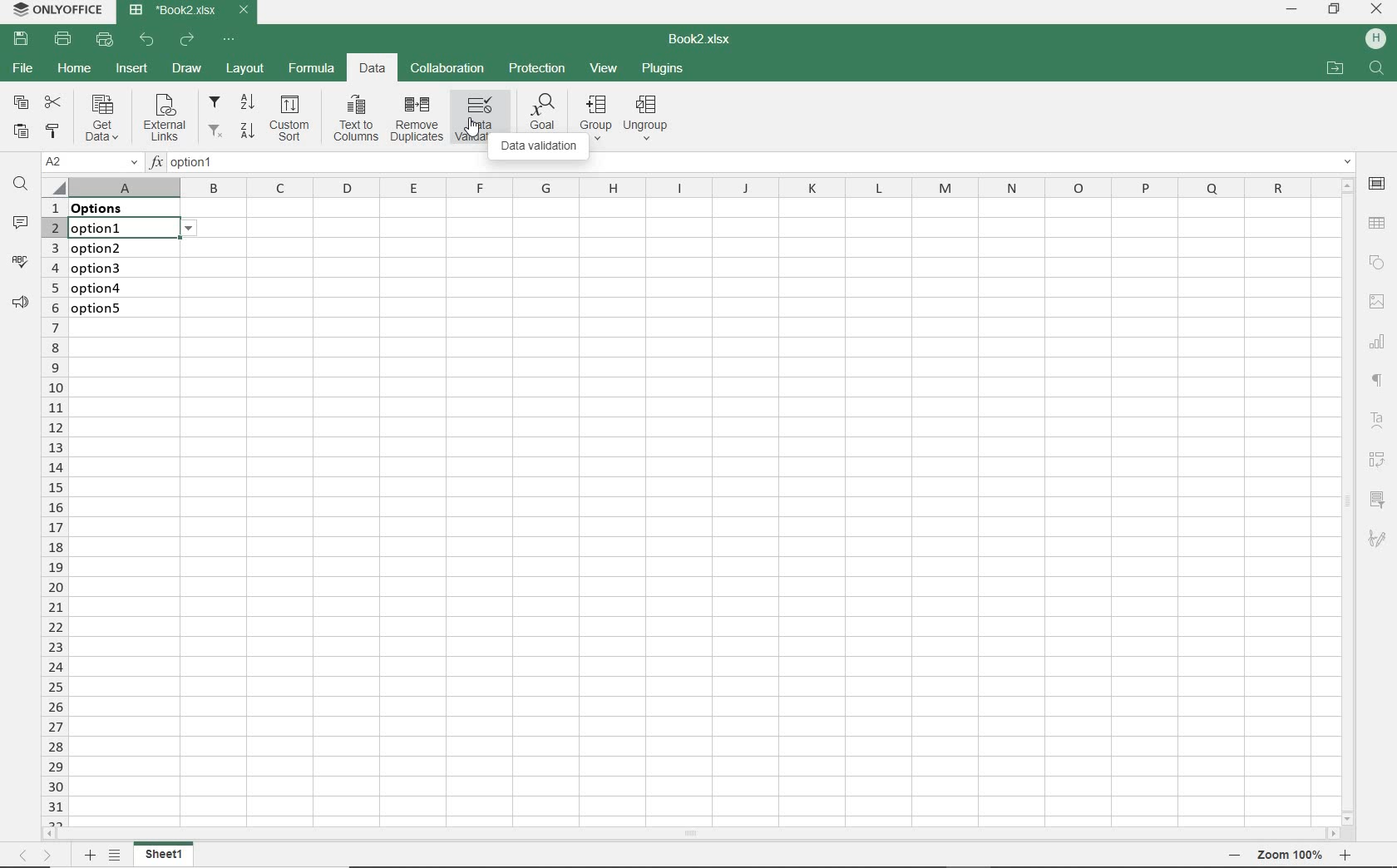 The width and height of the screenshot is (1397, 868). I want to click on remove duplicates, so click(417, 120).